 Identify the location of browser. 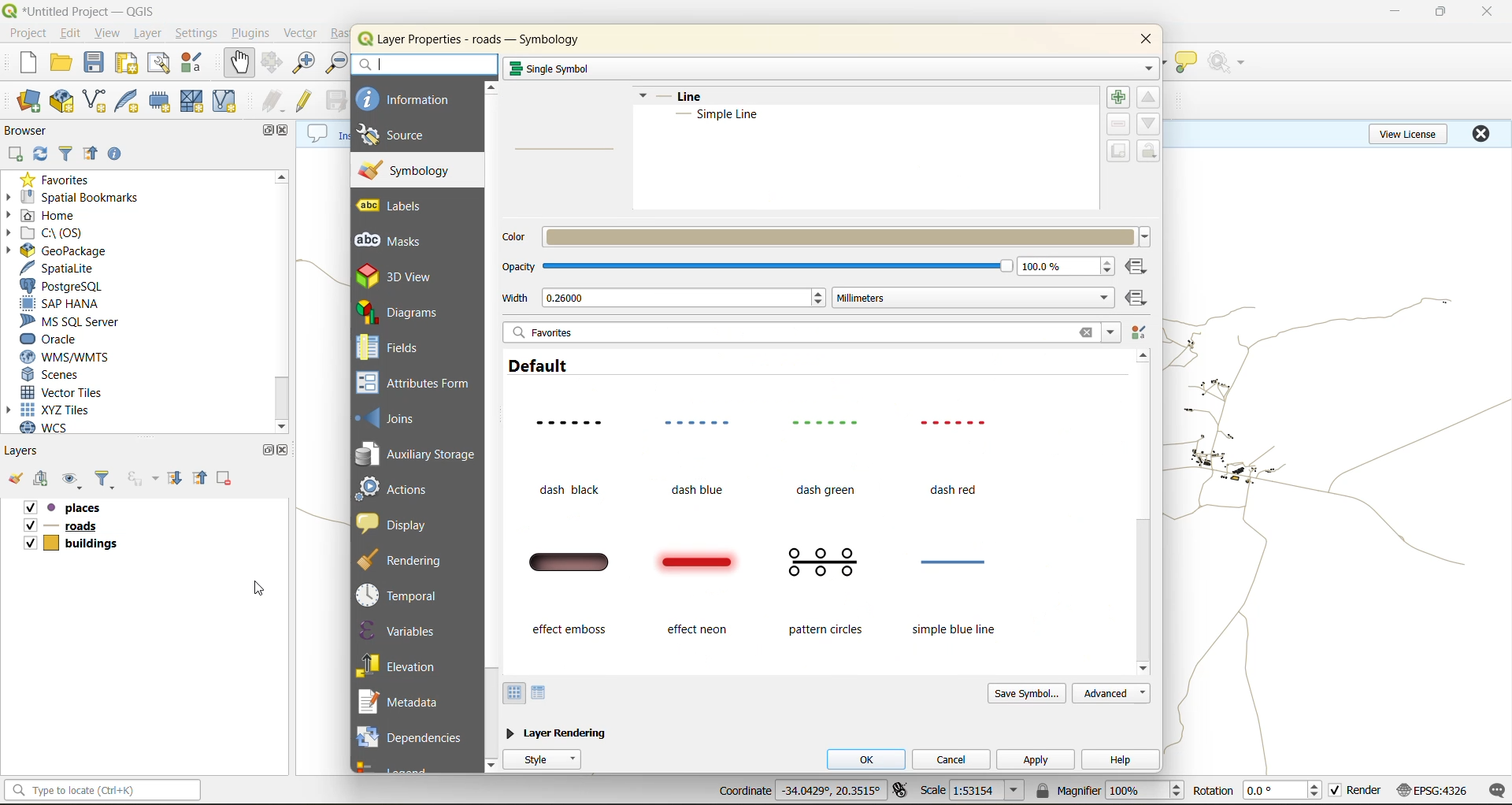
(32, 131).